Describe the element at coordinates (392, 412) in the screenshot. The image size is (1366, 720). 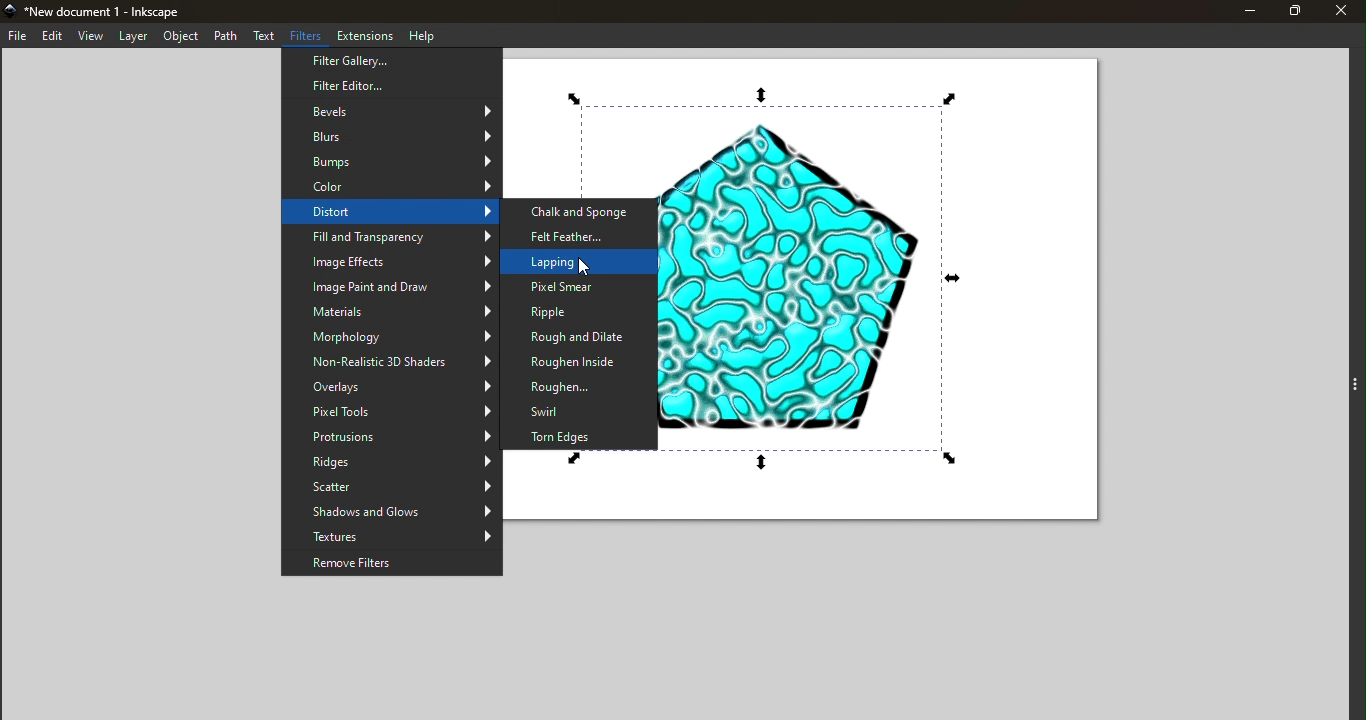
I see `Pixel Tools` at that location.